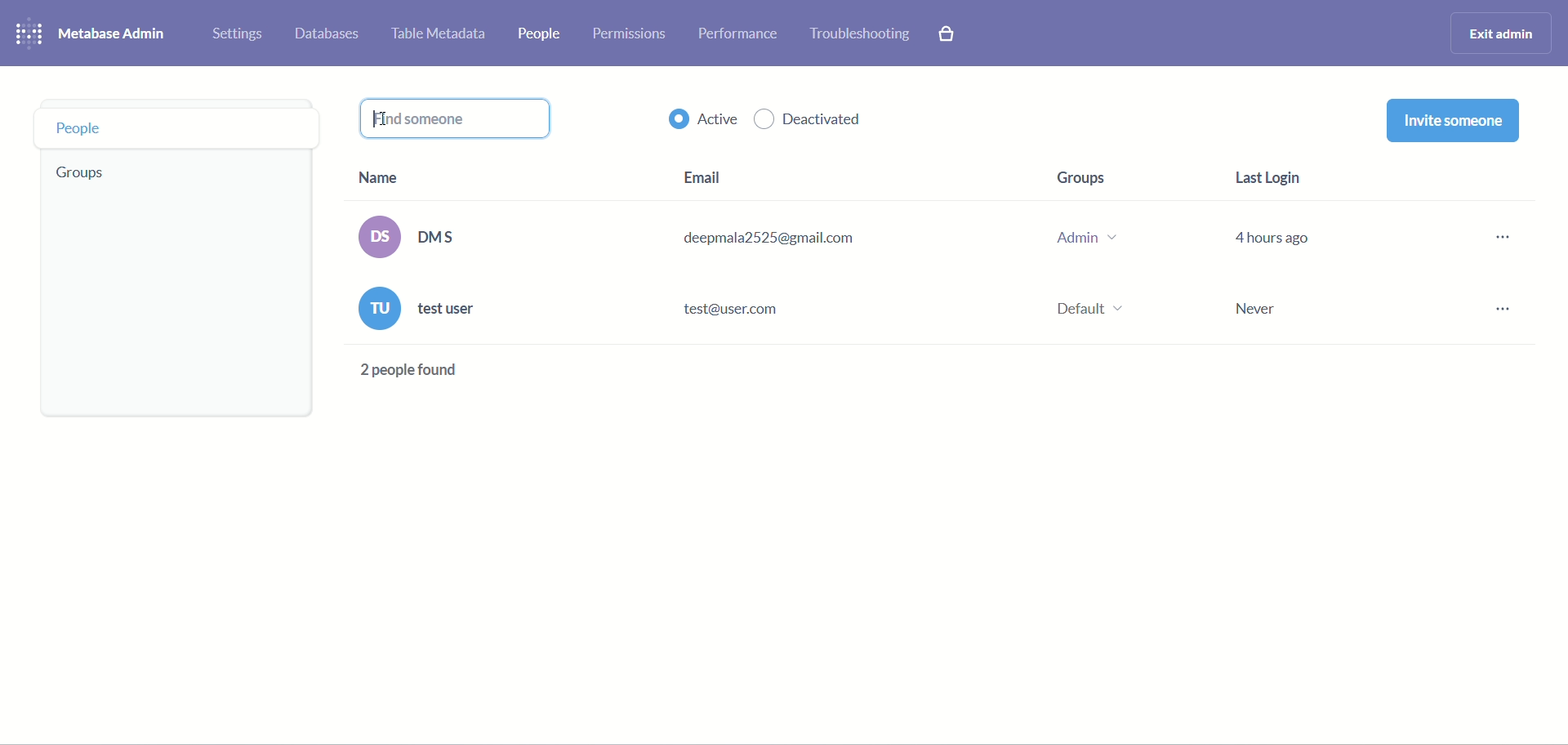  I want to click on name, so click(406, 245).